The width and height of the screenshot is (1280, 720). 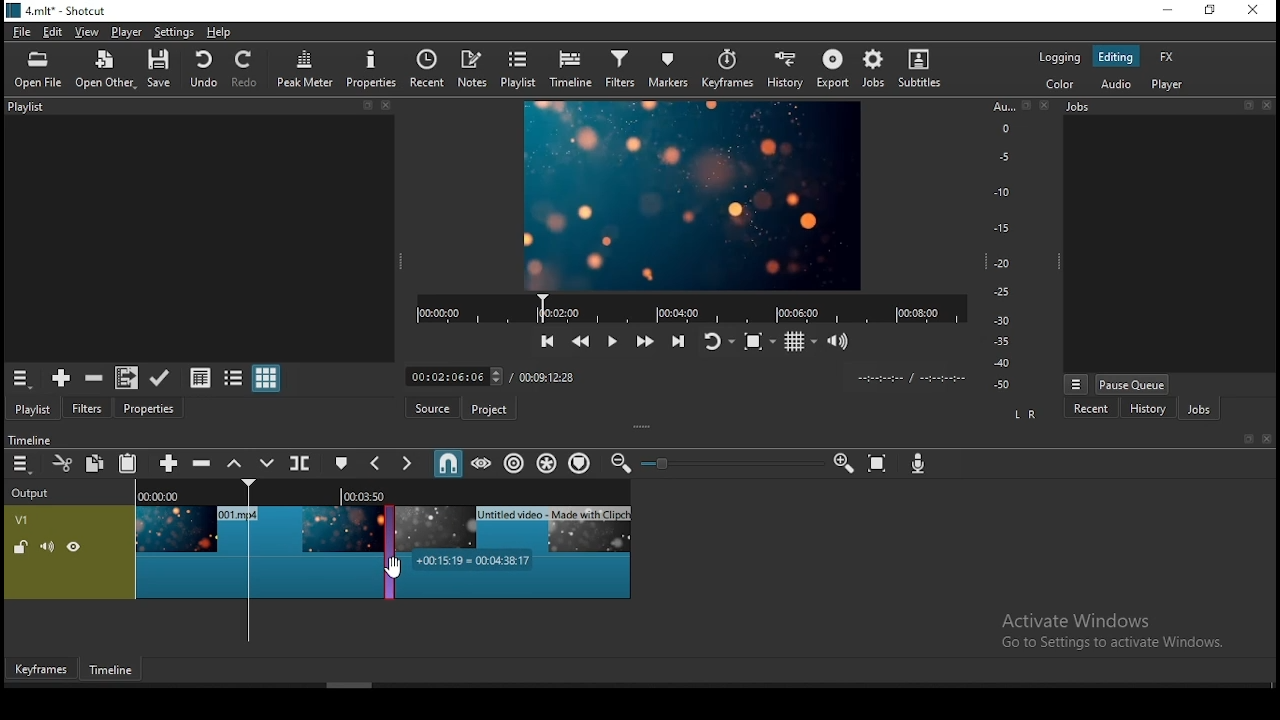 What do you see at coordinates (199, 463) in the screenshot?
I see `ripple delete` at bounding box center [199, 463].